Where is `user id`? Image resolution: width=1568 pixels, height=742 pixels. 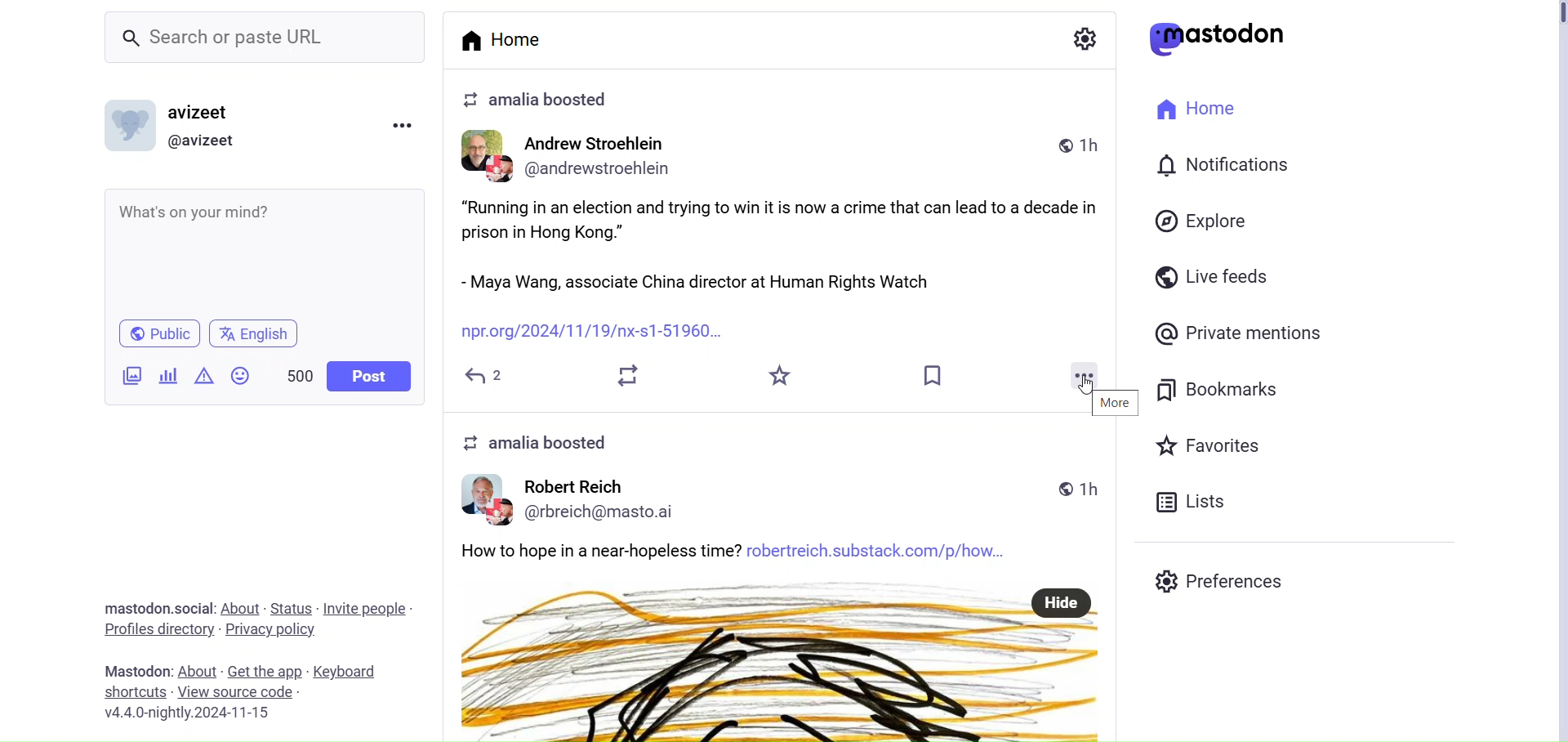
user id is located at coordinates (612, 512).